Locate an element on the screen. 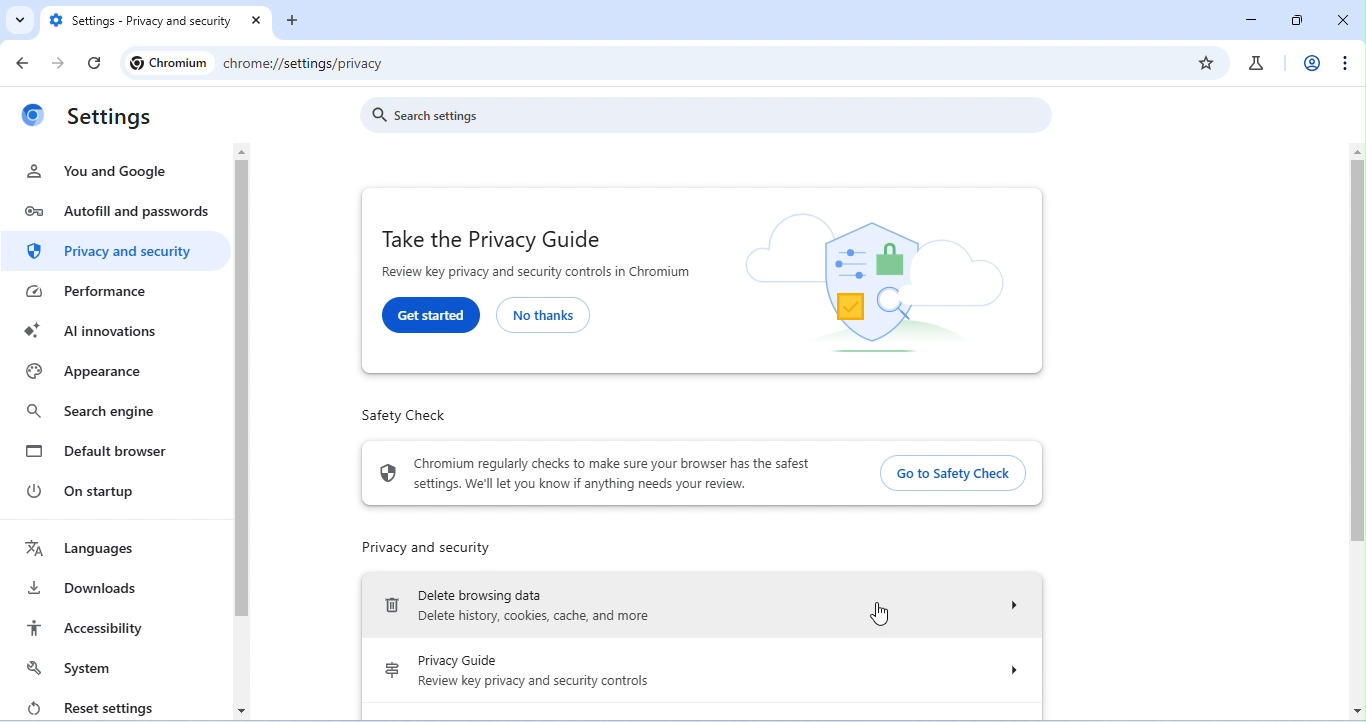  go to safety check is located at coordinates (950, 472).